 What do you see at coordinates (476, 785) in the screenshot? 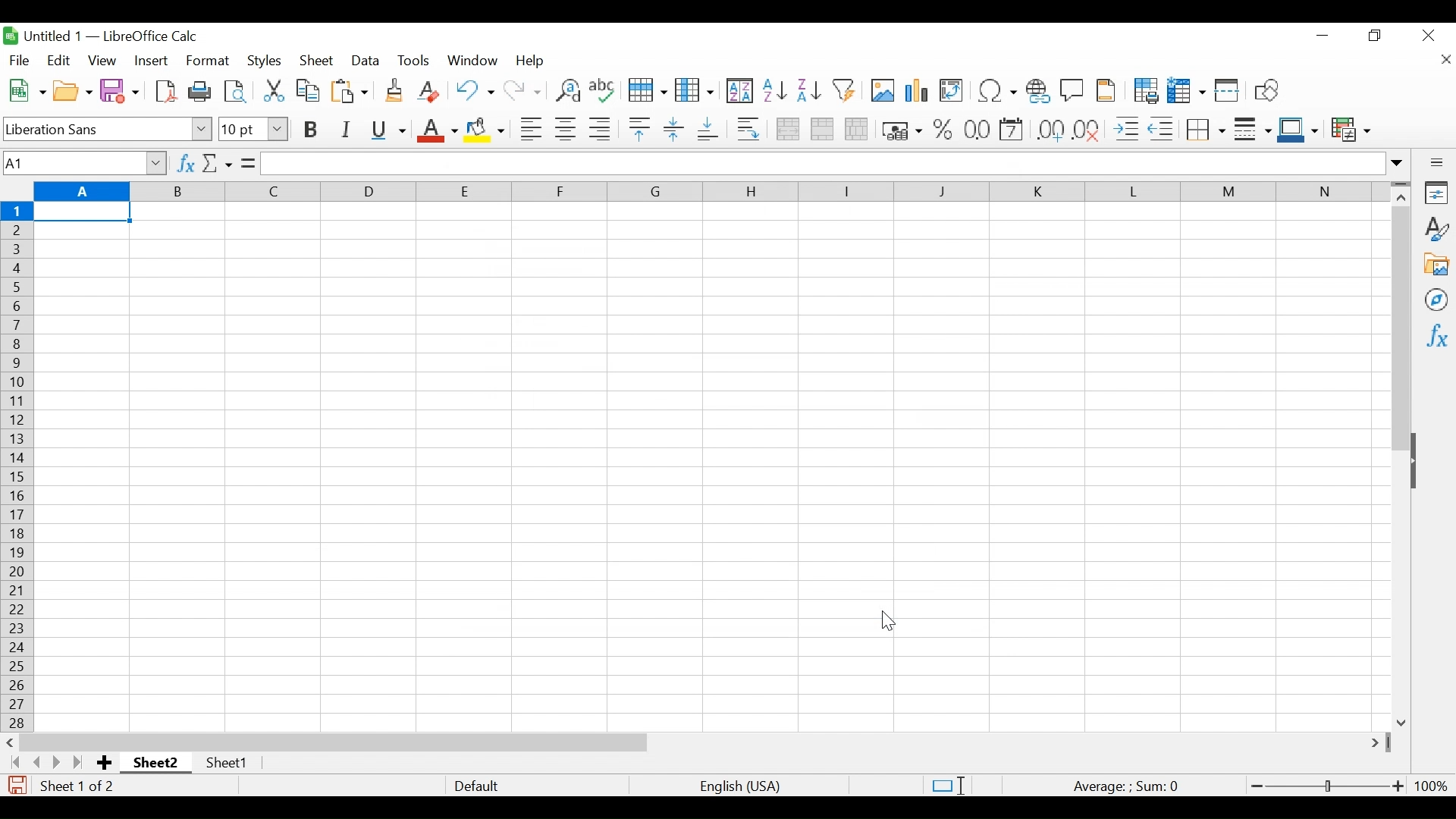
I see `Default` at bounding box center [476, 785].